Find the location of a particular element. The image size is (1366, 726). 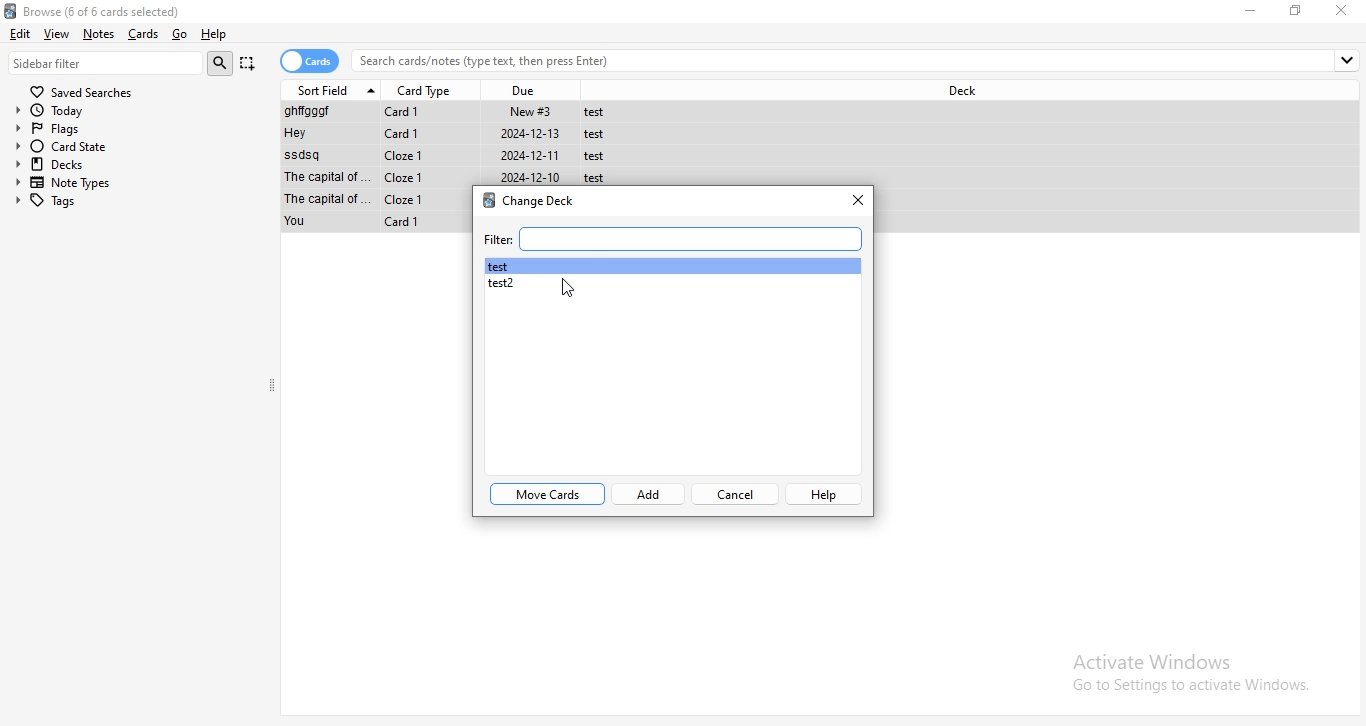

search bar is located at coordinates (858, 60).